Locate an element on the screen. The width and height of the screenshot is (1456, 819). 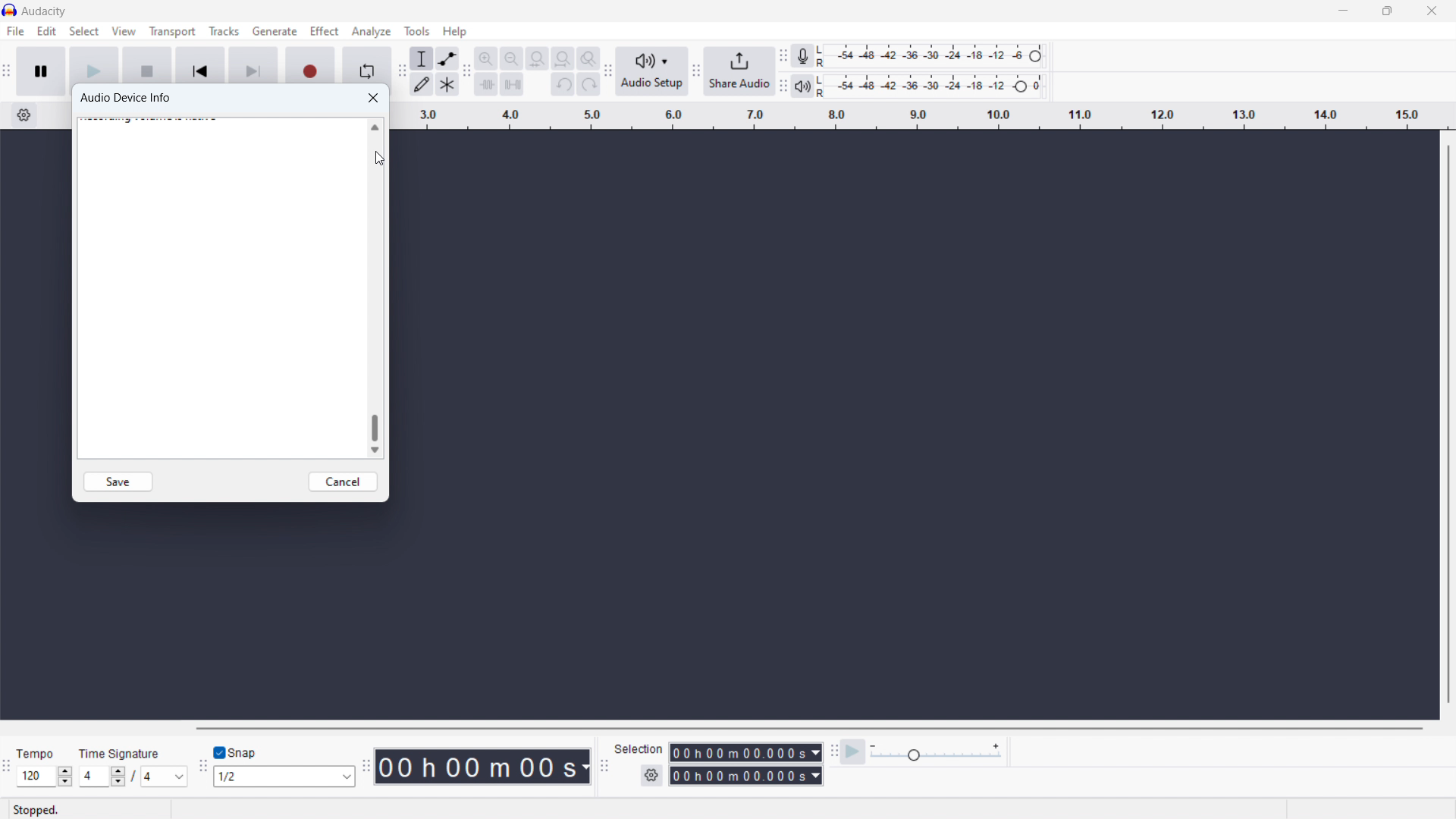
time toolbar is located at coordinates (366, 767).